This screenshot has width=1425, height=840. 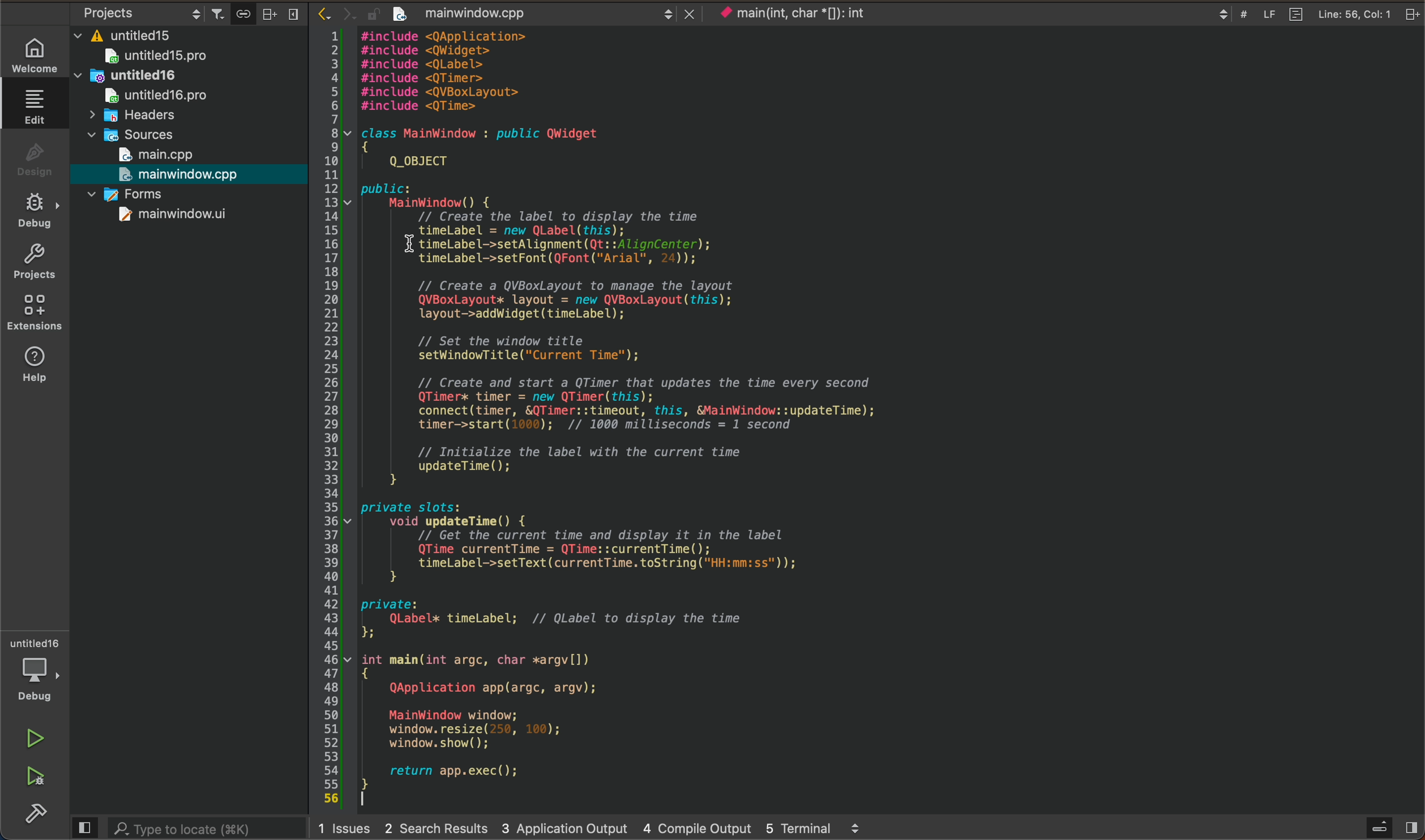 What do you see at coordinates (34, 312) in the screenshot?
I see `extensions` at bounding box center [34, 312].